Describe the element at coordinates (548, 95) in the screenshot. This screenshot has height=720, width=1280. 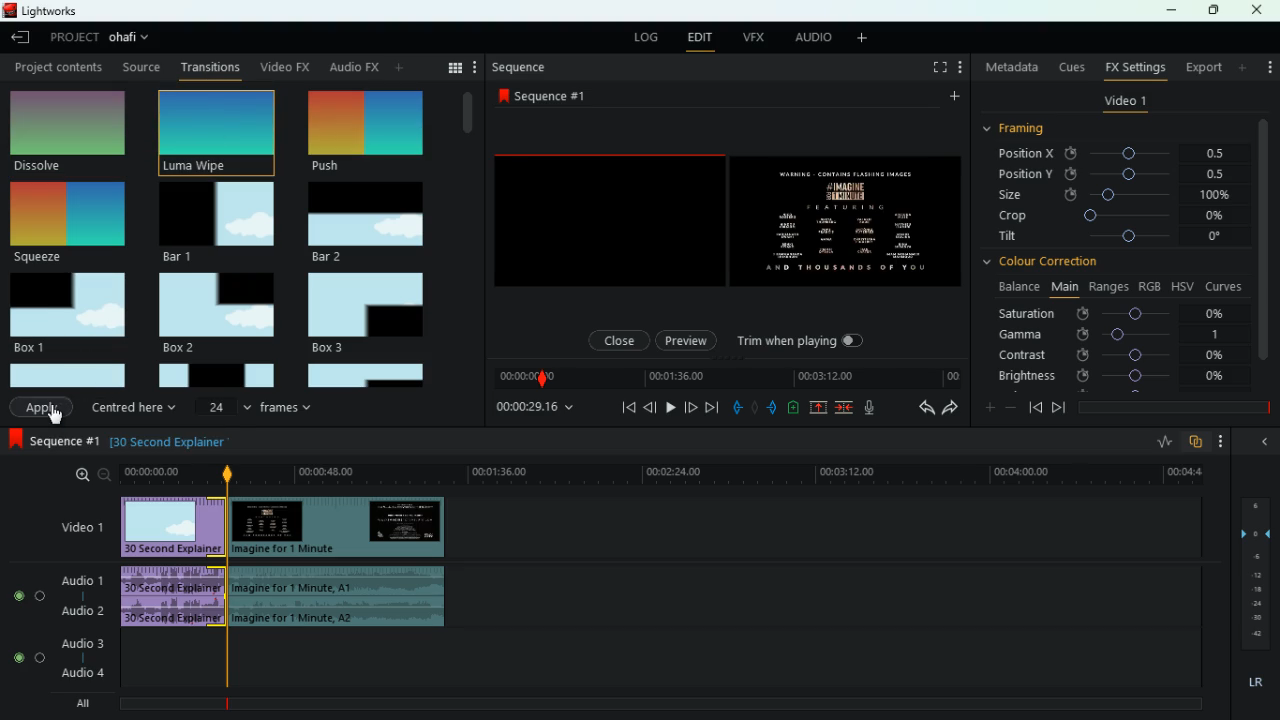
I see `sequence` at that location.